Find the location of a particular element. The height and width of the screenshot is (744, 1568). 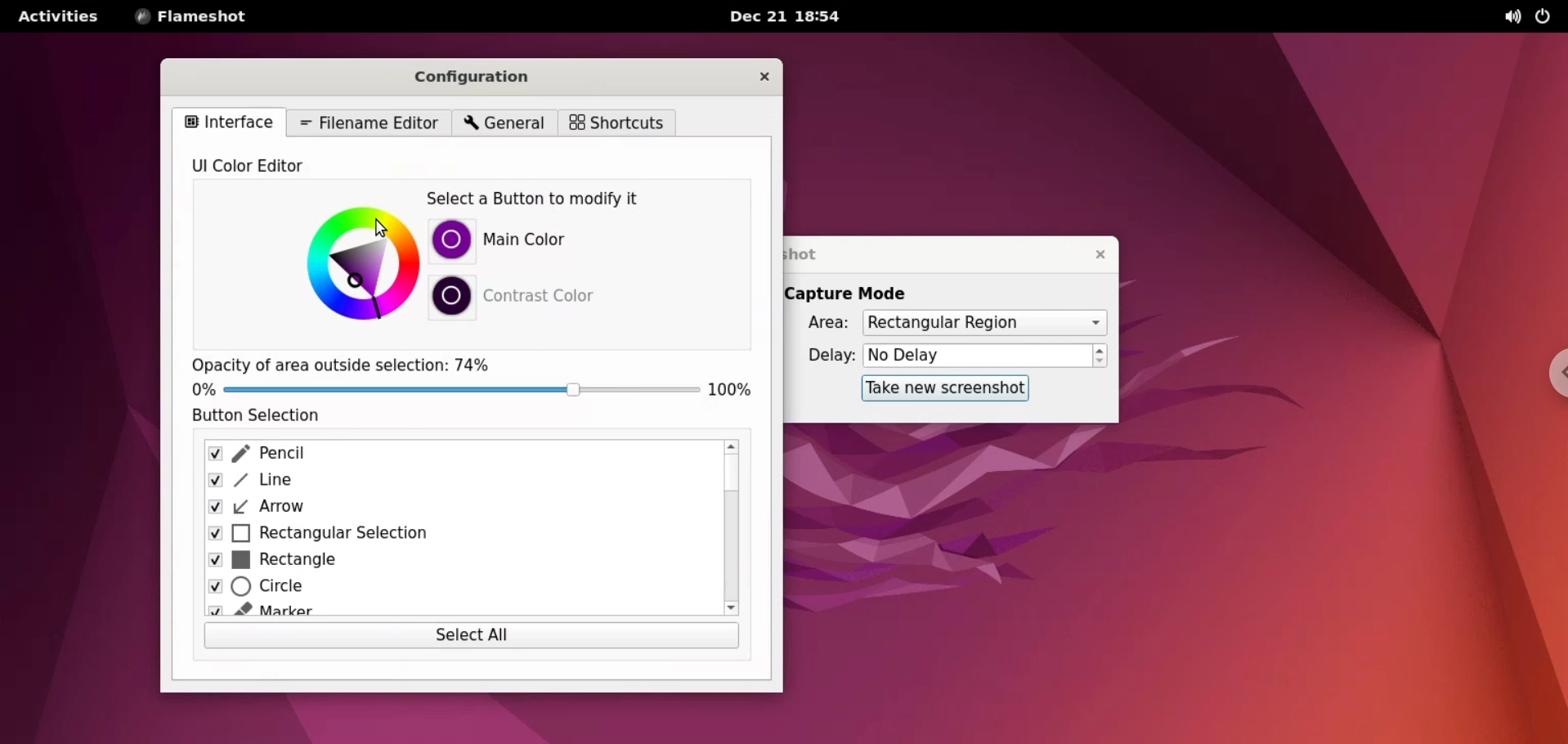

shortcuts is located at coordinates (617, 123).